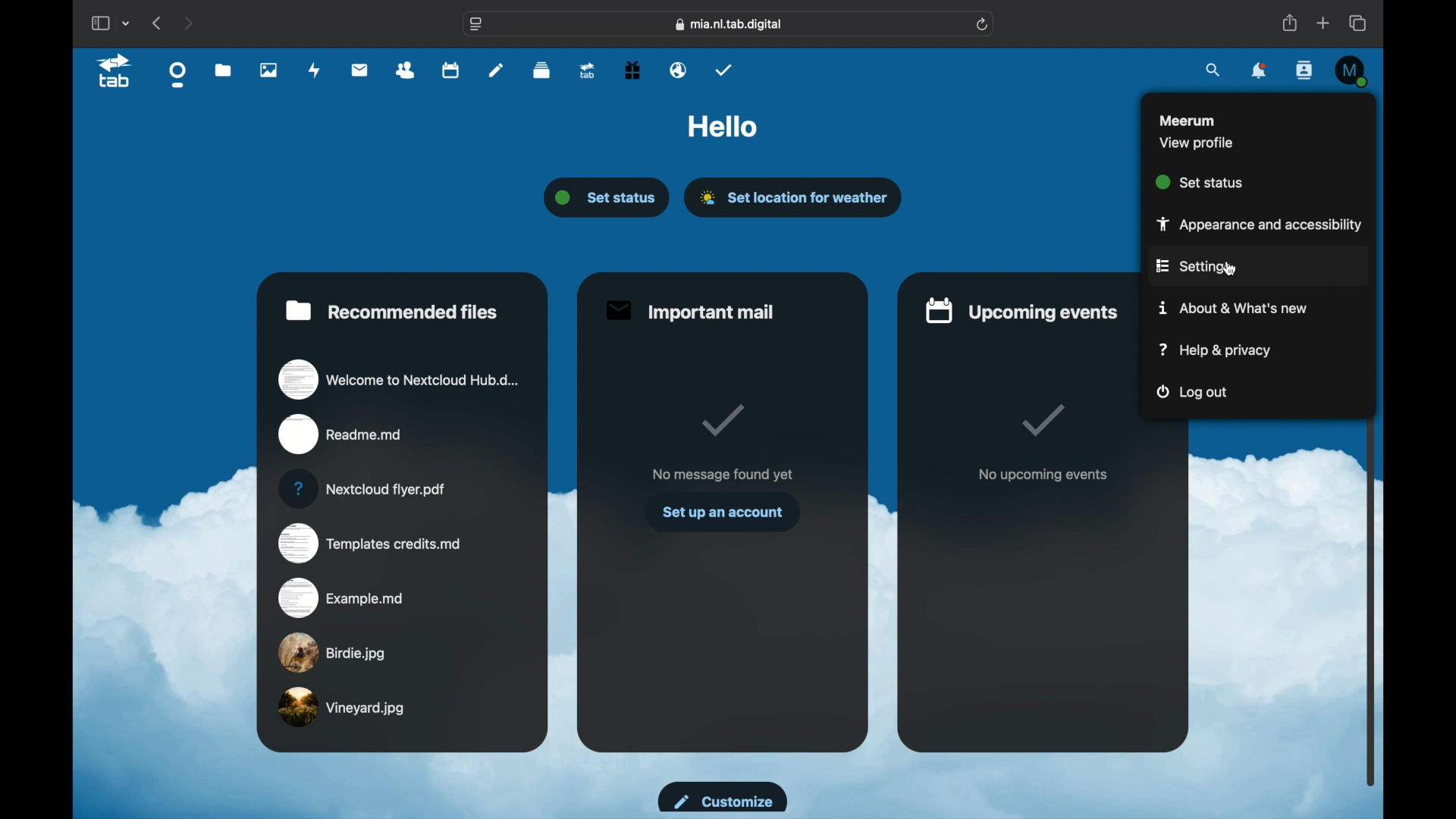  Describe the element at coordinates (1043, 475) in the screenshot. I see `no upcoming events` at that location.